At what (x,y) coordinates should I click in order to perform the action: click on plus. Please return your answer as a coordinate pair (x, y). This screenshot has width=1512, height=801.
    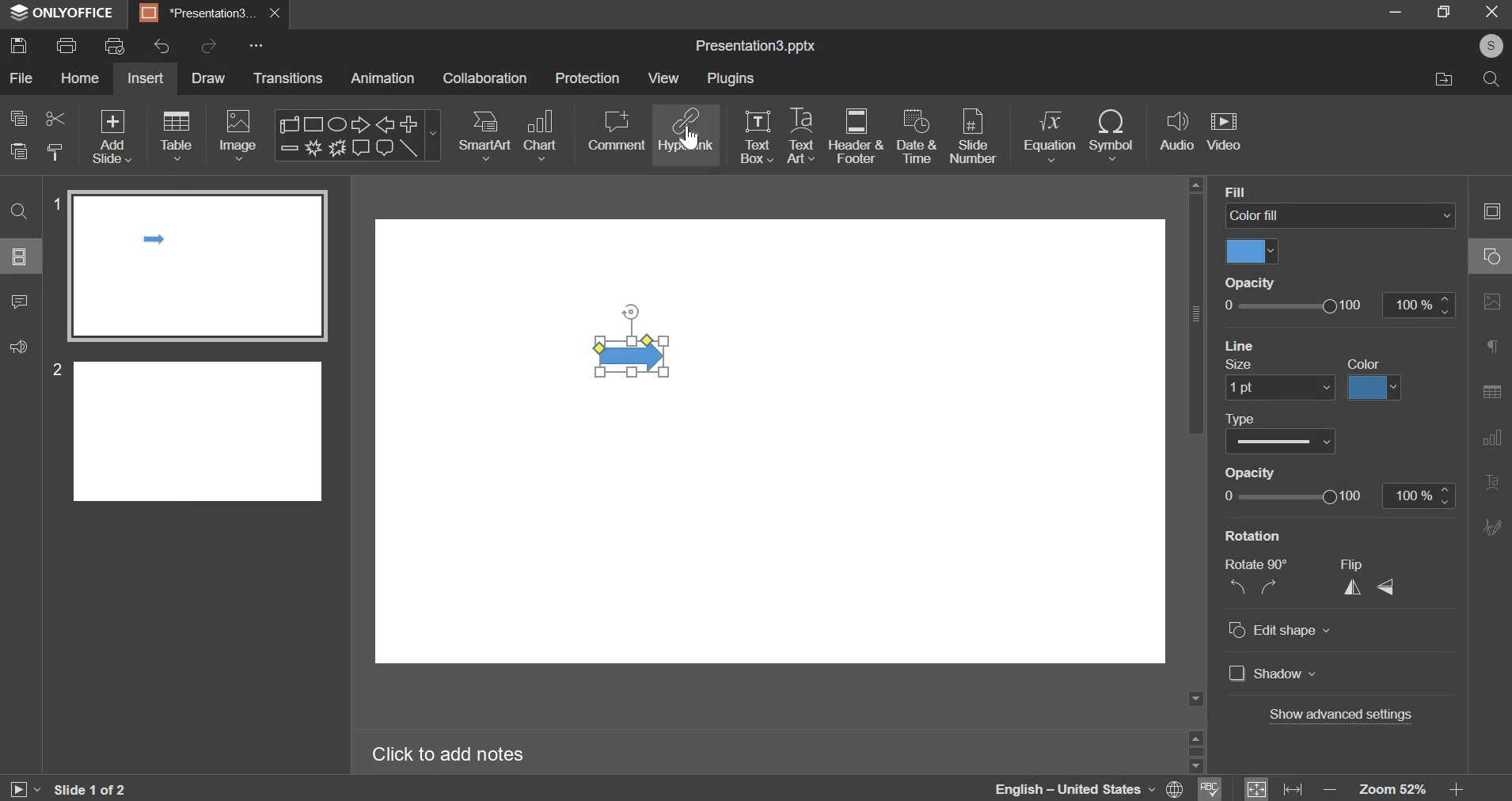
    Looking at the image, I should click on (409, 123).